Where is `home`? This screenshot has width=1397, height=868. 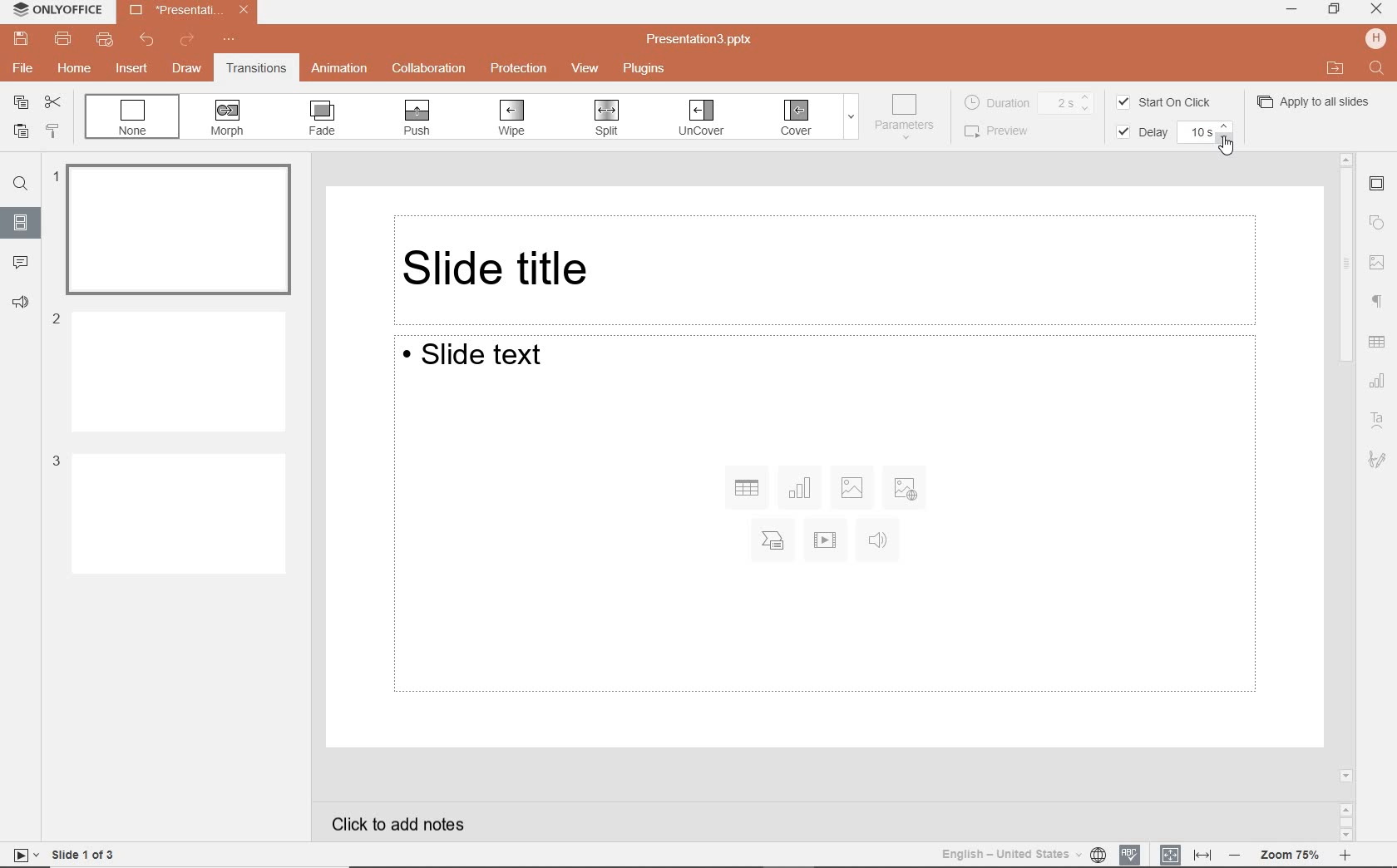 home is located at coordinates (76, 70).